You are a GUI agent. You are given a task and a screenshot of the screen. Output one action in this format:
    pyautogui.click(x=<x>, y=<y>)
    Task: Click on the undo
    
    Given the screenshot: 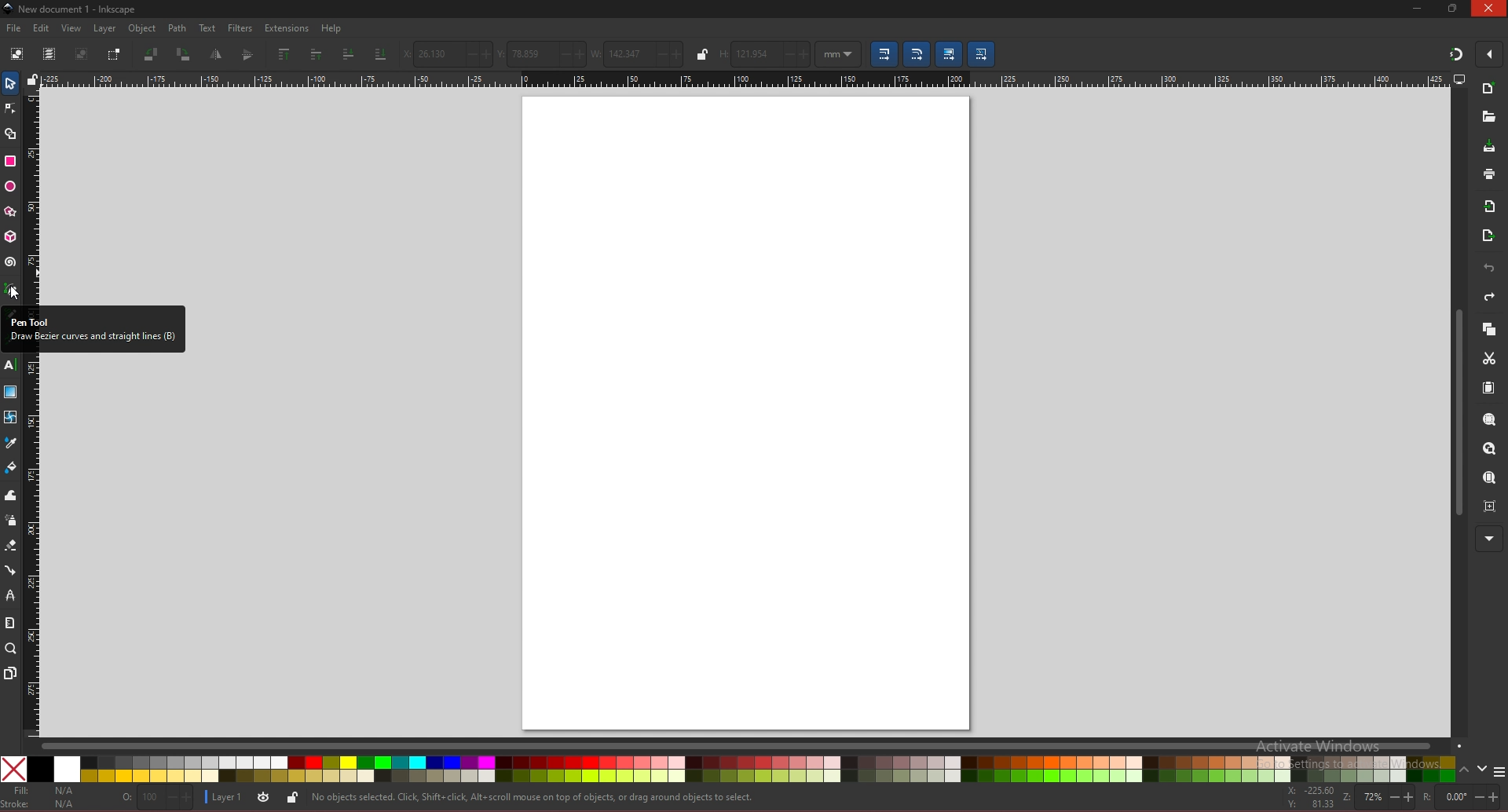 What is the action you would take?
    pyautogui.click(x=1489, y=269)
    